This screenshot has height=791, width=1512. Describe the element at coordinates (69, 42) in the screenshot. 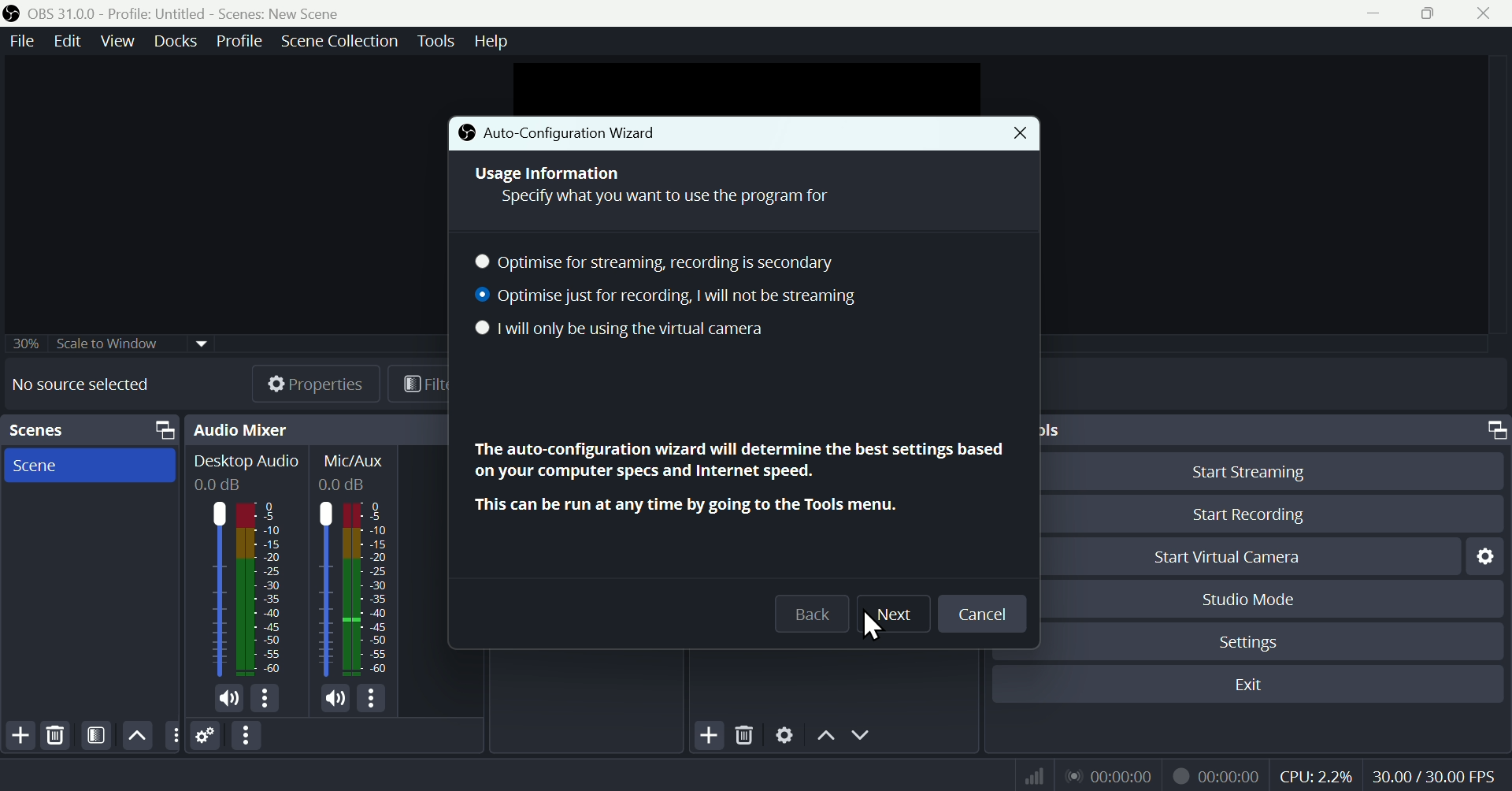

I see `Edit` at that location.